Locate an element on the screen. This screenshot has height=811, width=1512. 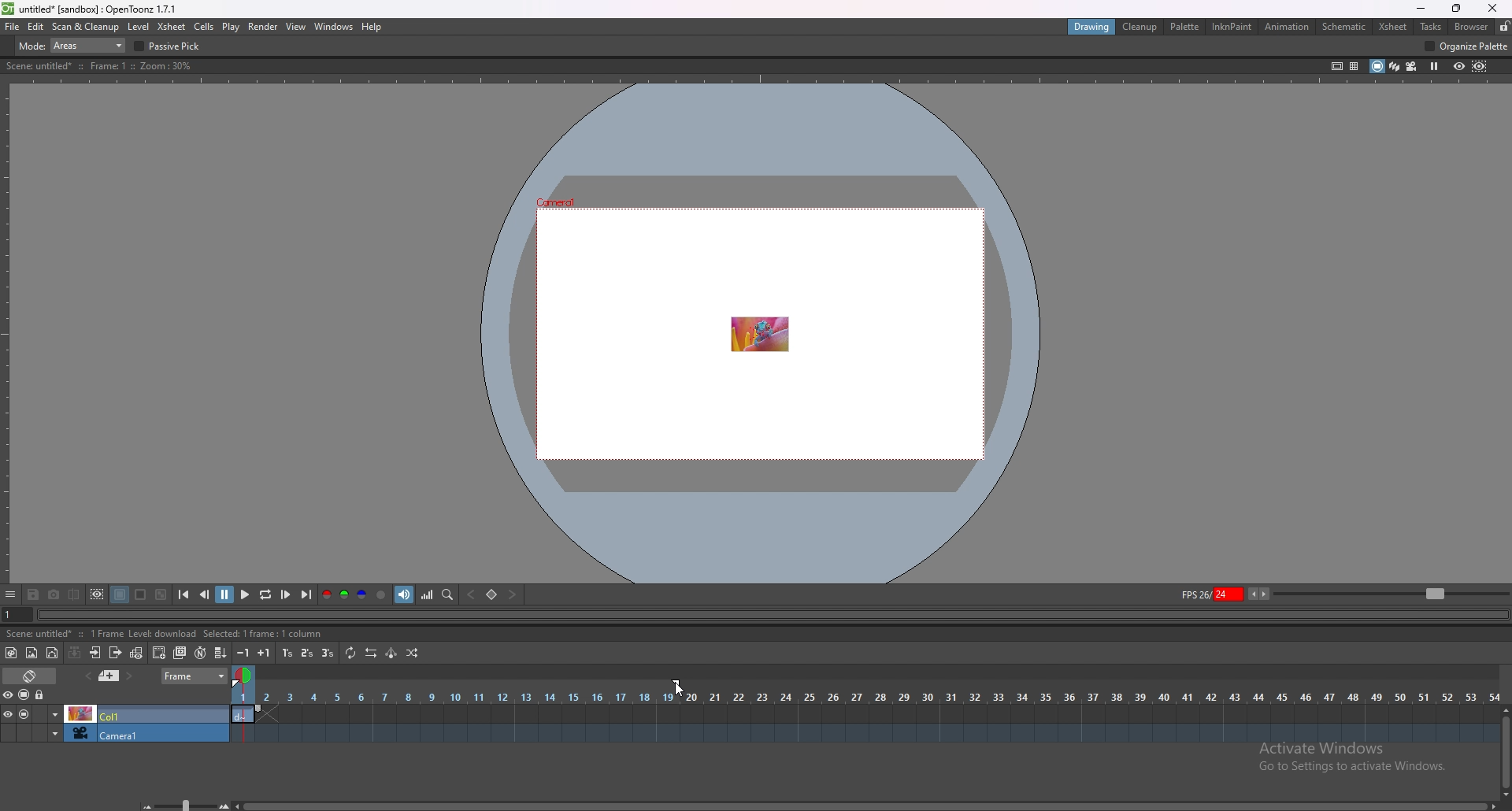
increase step is located at coordinates (264, 653).